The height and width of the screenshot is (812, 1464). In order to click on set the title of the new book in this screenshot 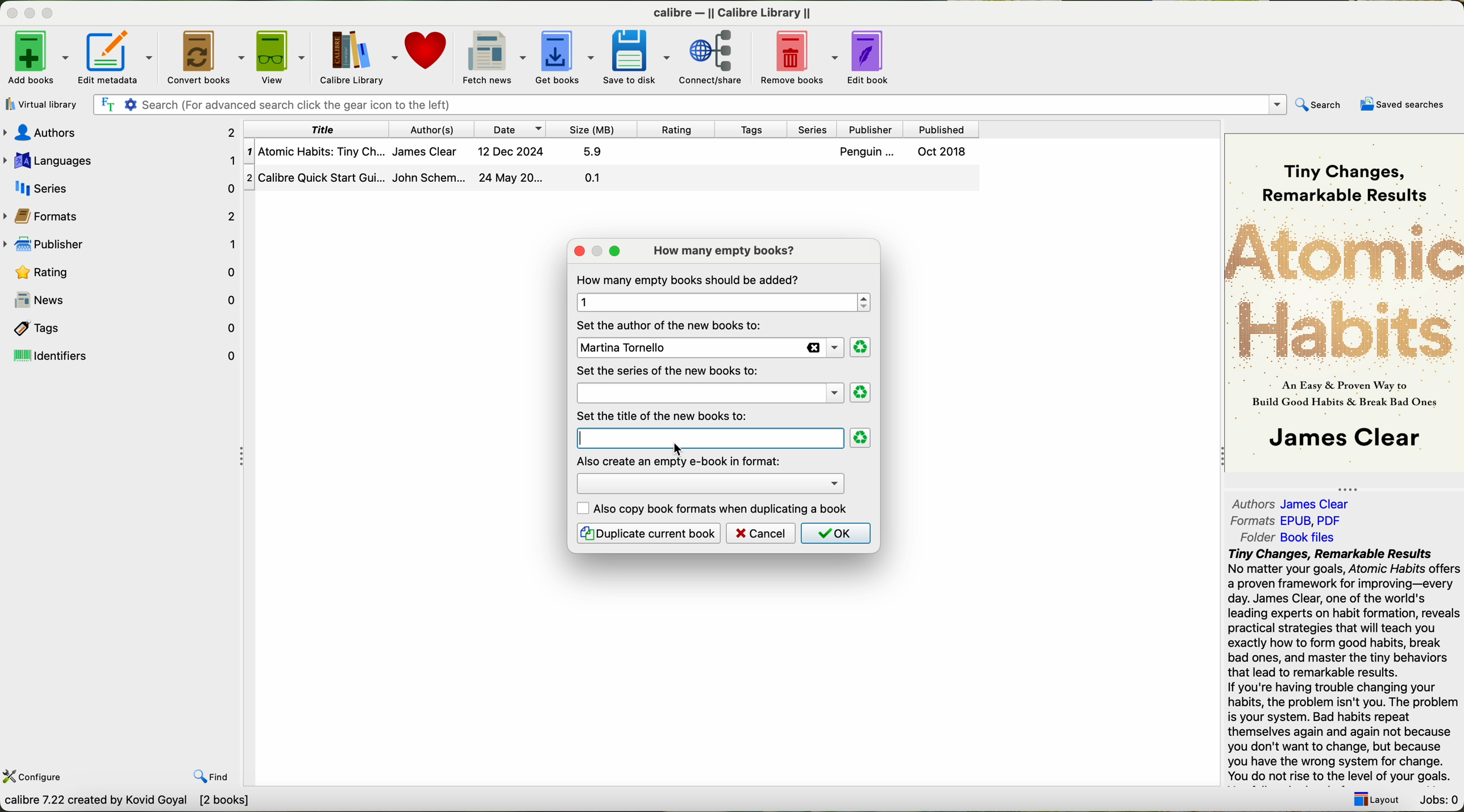, I will do `click(666, 415)`.